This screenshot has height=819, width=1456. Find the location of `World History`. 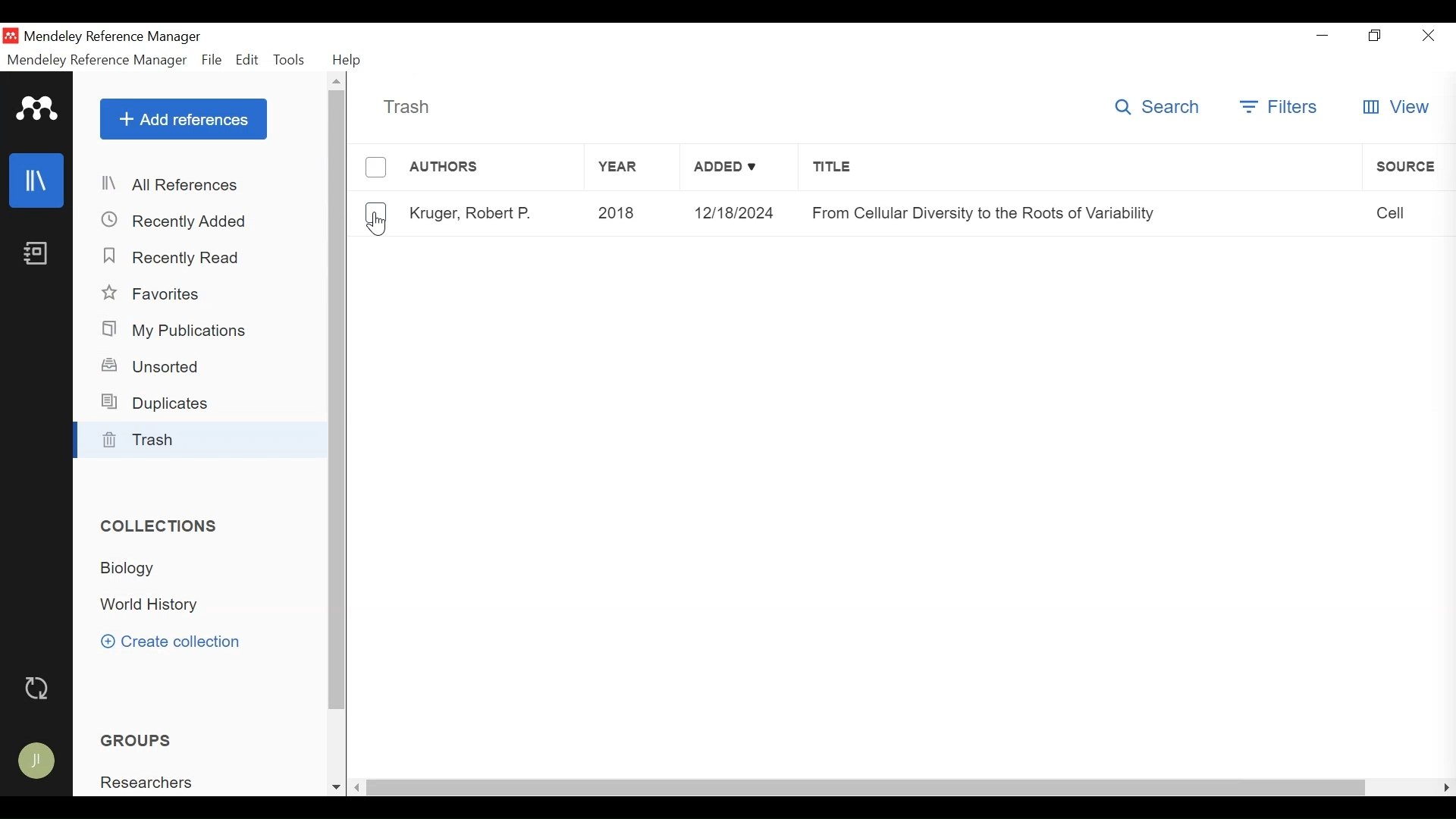

World History is located at coordinates (158, 607).